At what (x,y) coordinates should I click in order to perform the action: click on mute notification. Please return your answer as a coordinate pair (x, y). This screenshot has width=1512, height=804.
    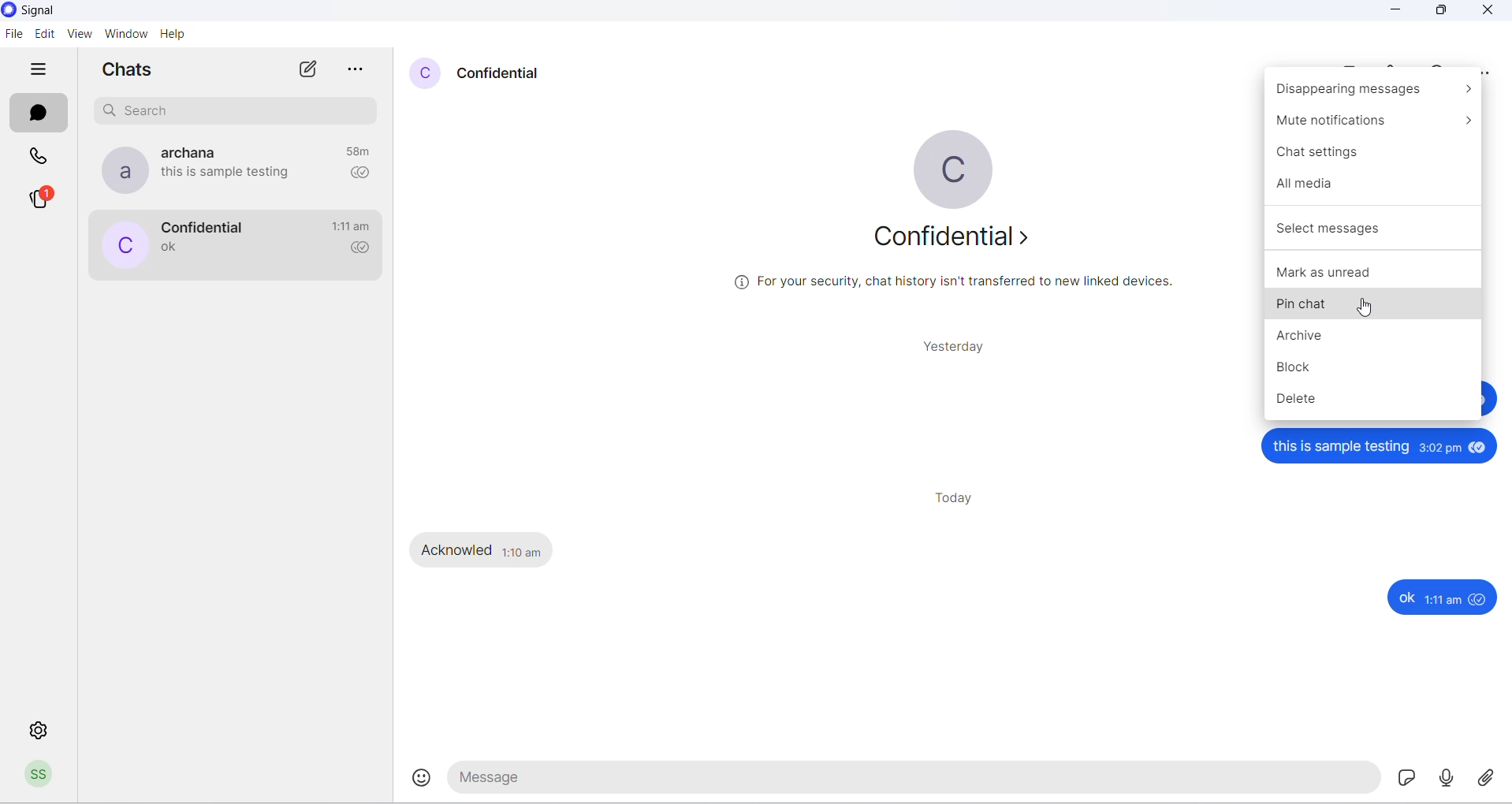
    Looking at the image, I should click on (1370, 124).